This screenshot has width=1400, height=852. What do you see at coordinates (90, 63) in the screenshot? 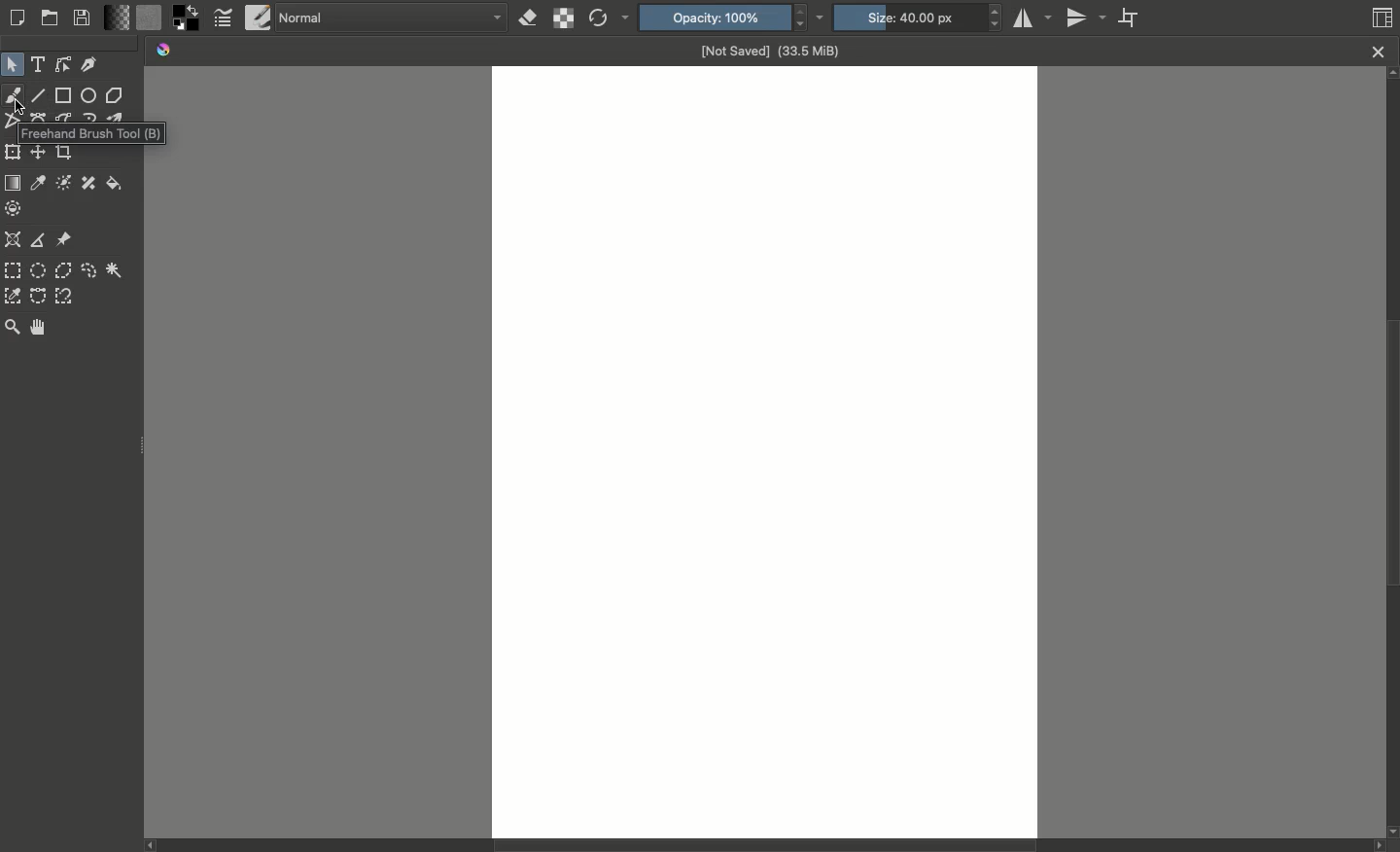
I see `Calligraphy` at bounding box center [90, 63].